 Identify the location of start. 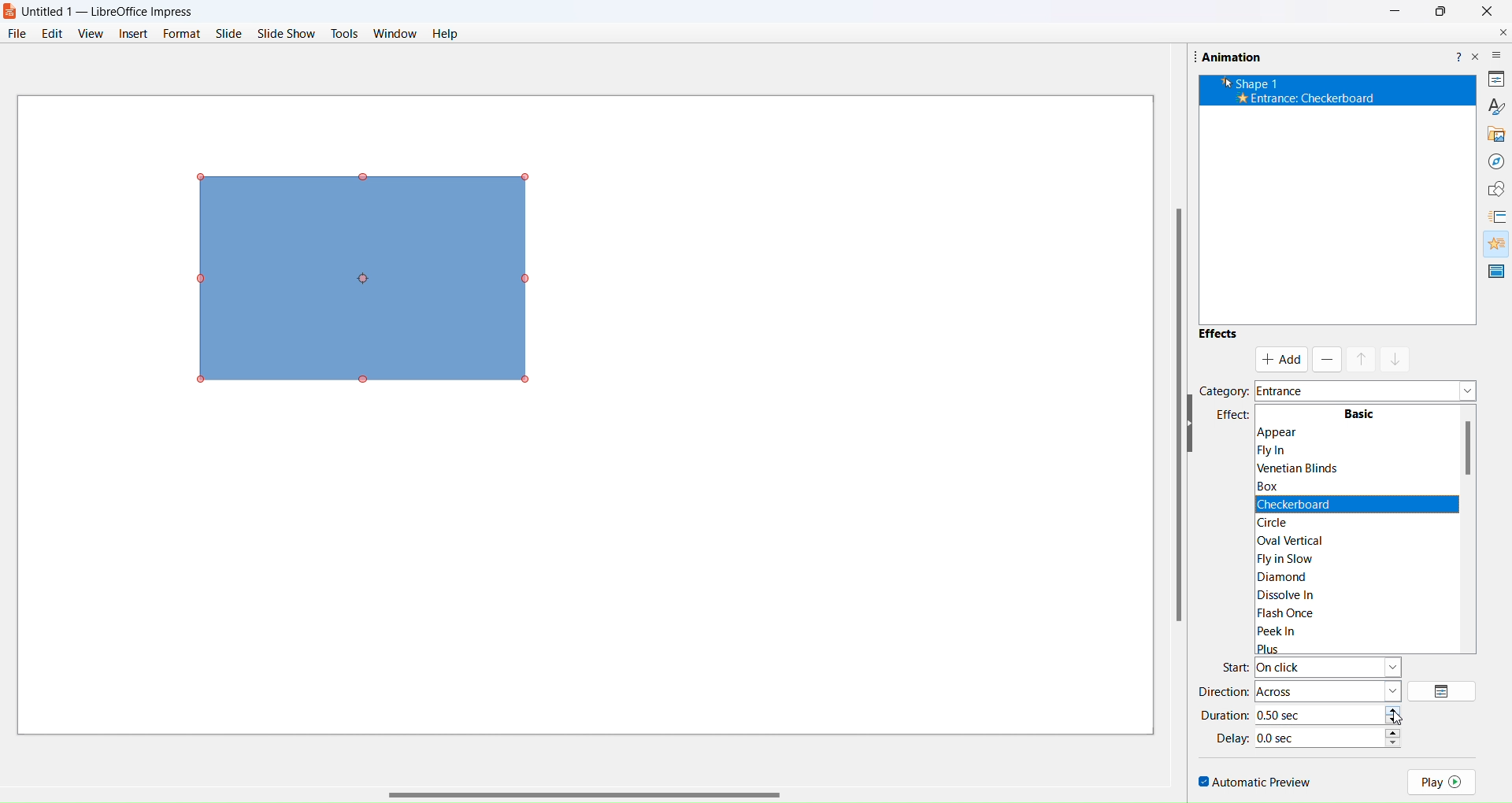
(1235, 665).